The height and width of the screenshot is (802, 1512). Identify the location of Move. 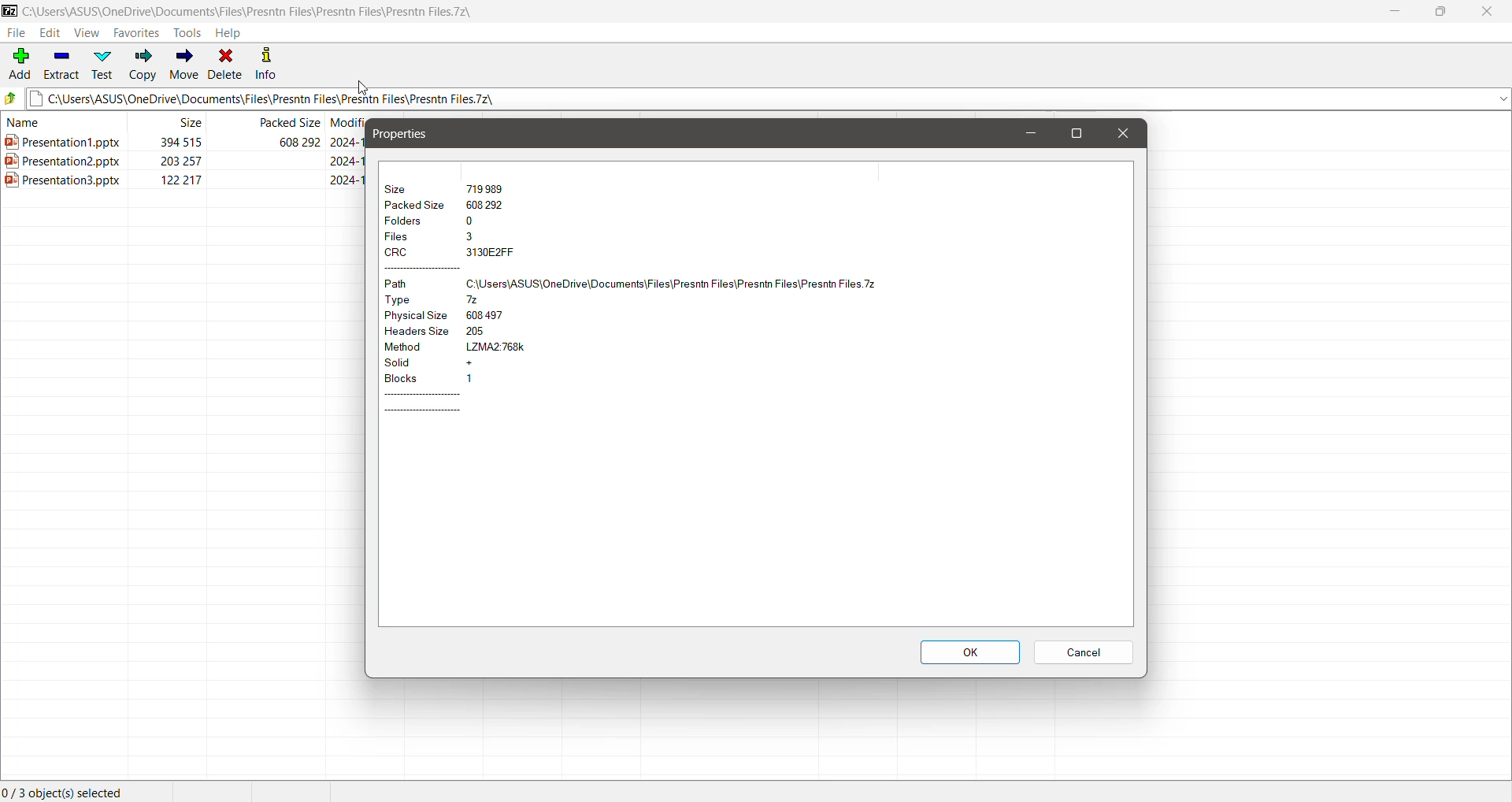
(184, 65).